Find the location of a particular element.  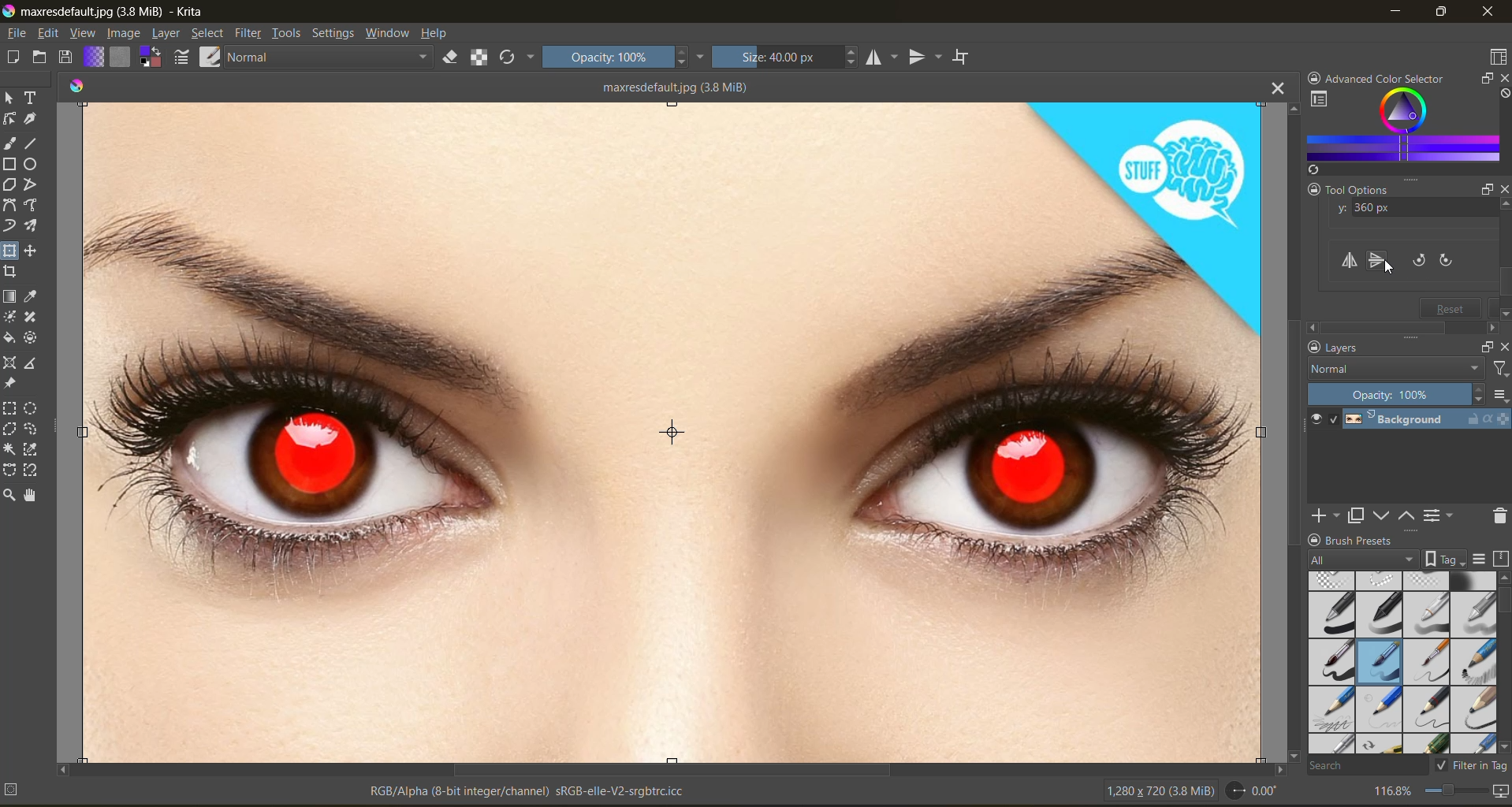

horizontal mirror tool is located at coordinates (885, 58).